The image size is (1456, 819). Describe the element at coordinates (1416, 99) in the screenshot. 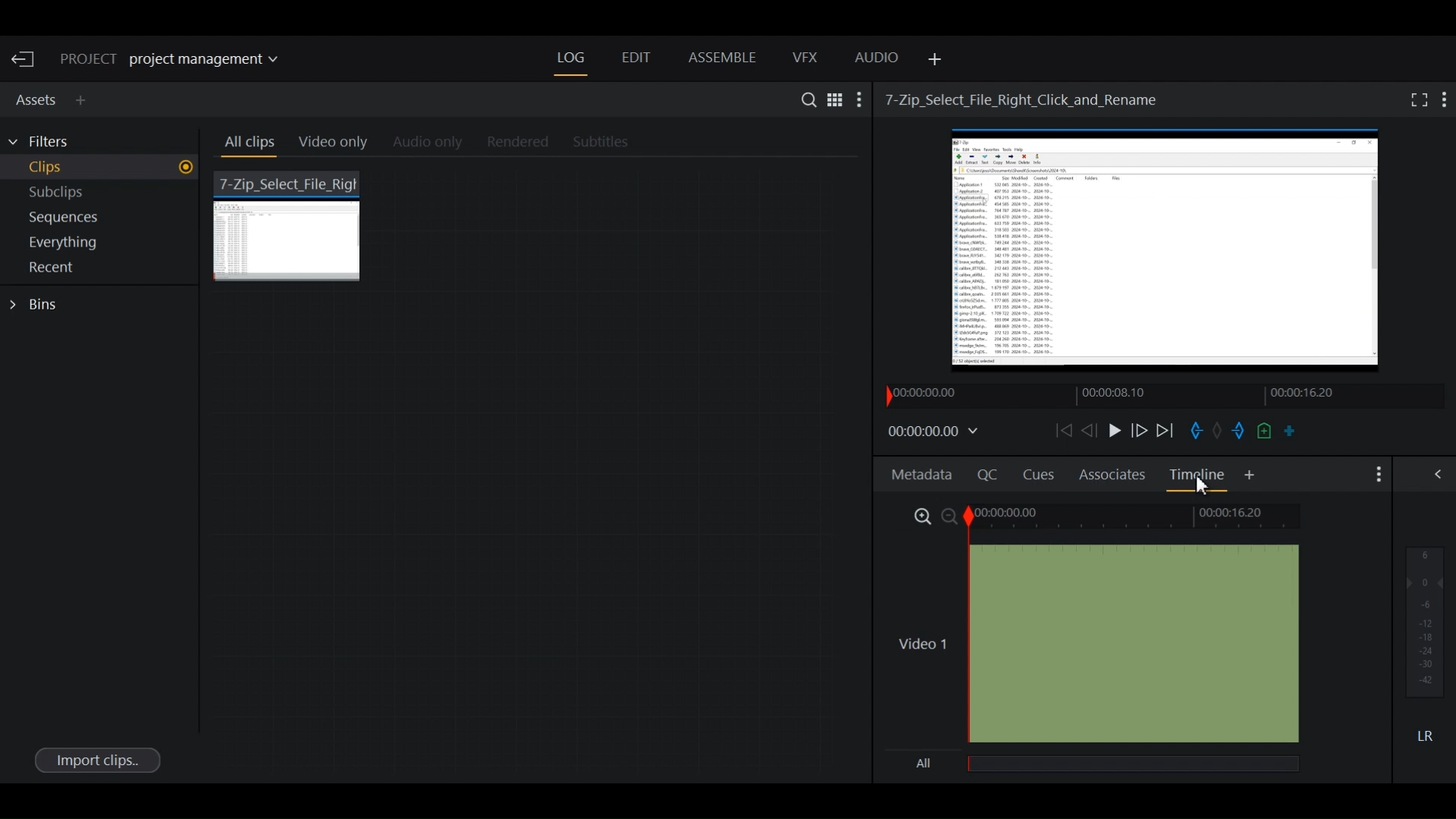

I see `Fullscreen` at that location.